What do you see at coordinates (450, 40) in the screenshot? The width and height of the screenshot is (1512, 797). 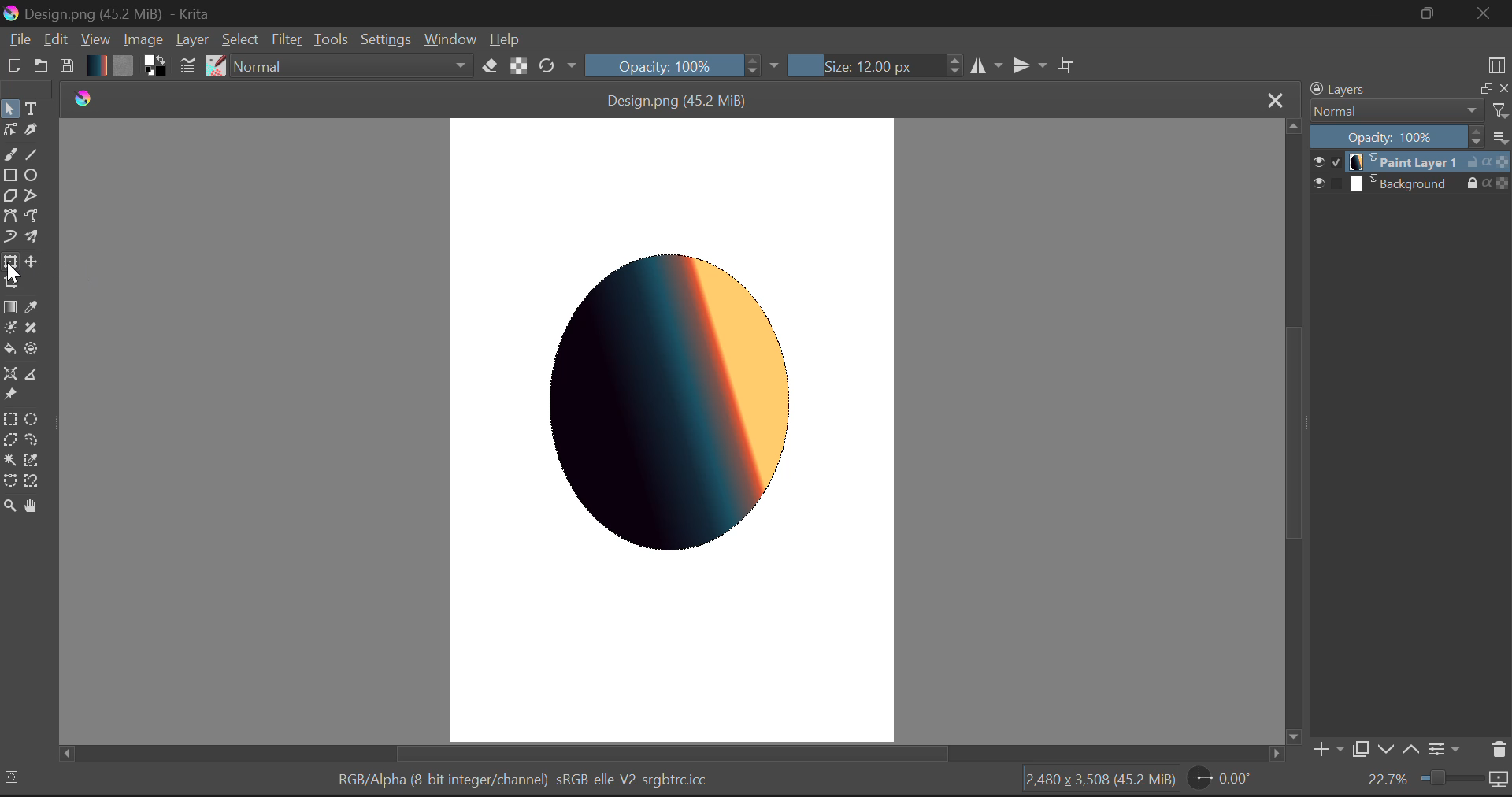 I see `Window` at bounding box center [450, 40].